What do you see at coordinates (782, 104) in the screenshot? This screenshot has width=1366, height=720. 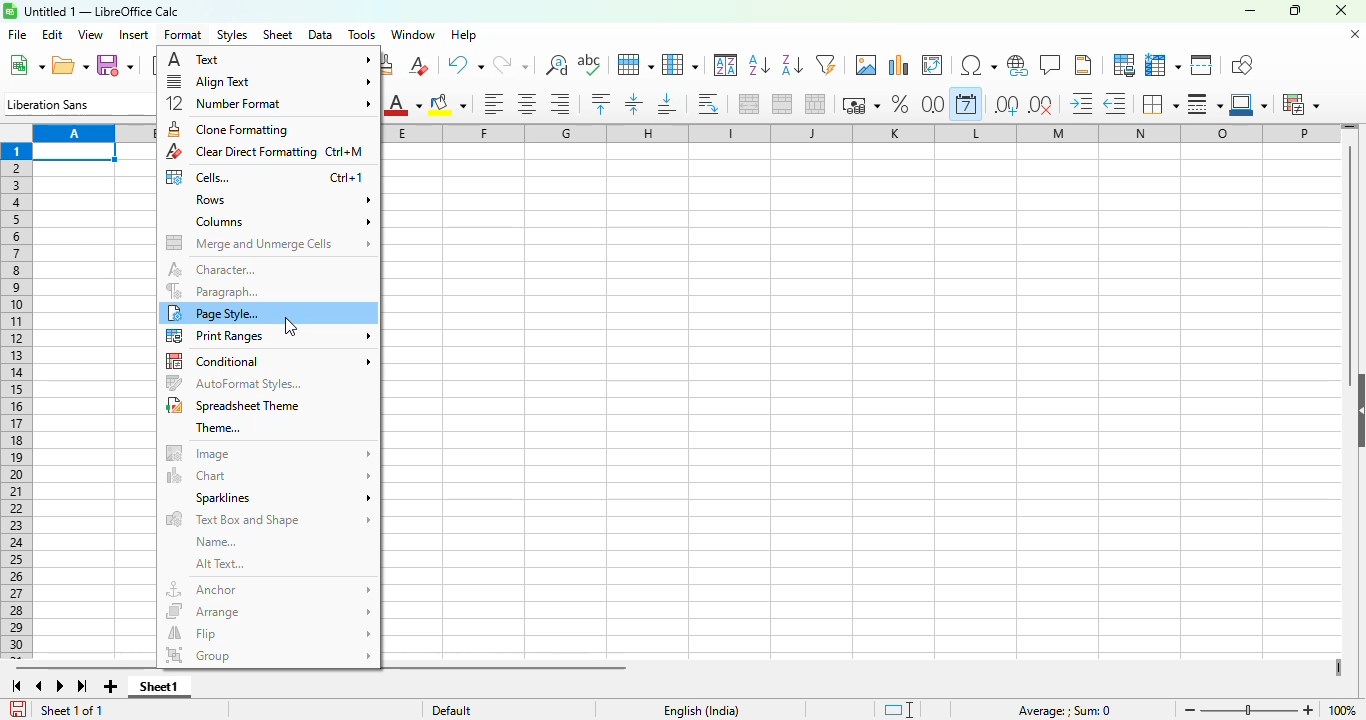 I see `merge cells` at bounding box center [782, 104].